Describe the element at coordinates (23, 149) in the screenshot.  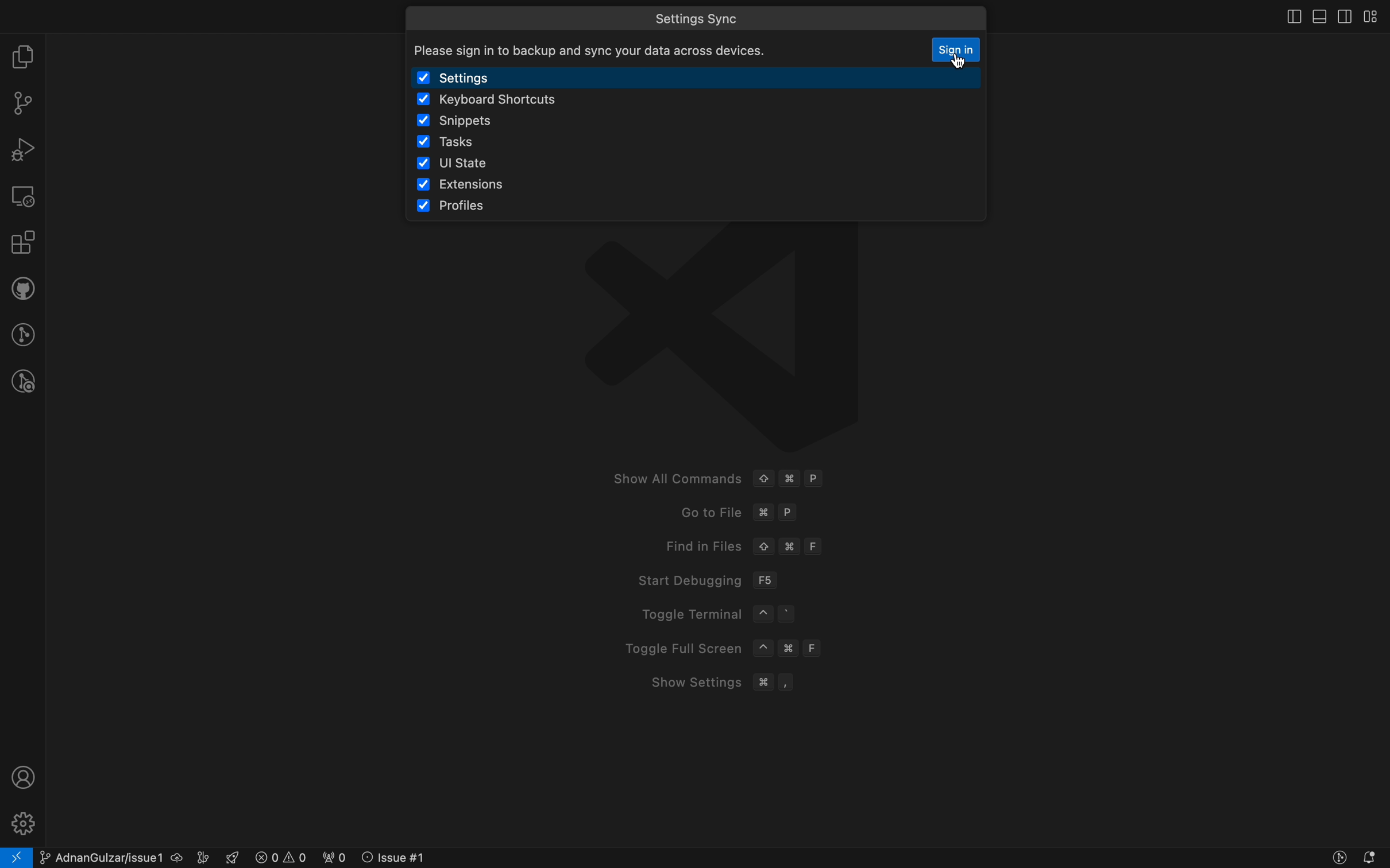
I see `debugger` at that location.